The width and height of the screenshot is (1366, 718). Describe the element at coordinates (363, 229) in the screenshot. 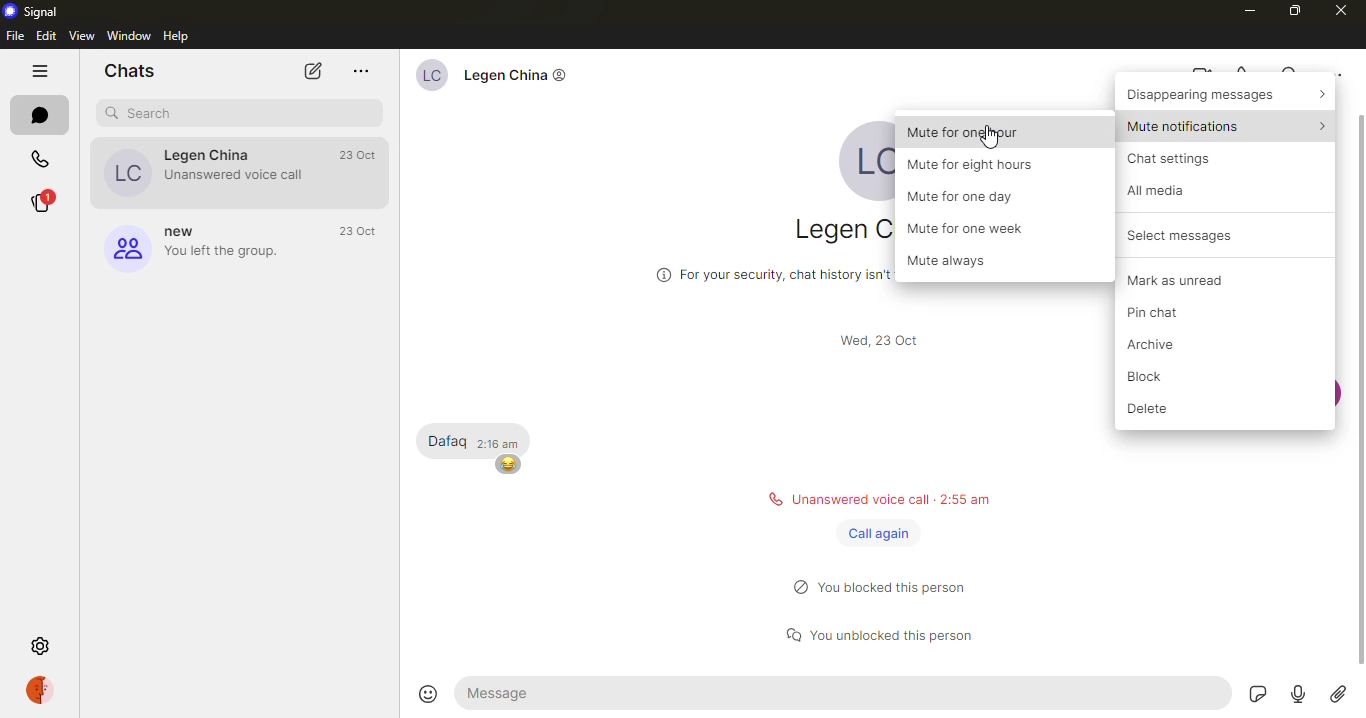

I see `time` at that location.